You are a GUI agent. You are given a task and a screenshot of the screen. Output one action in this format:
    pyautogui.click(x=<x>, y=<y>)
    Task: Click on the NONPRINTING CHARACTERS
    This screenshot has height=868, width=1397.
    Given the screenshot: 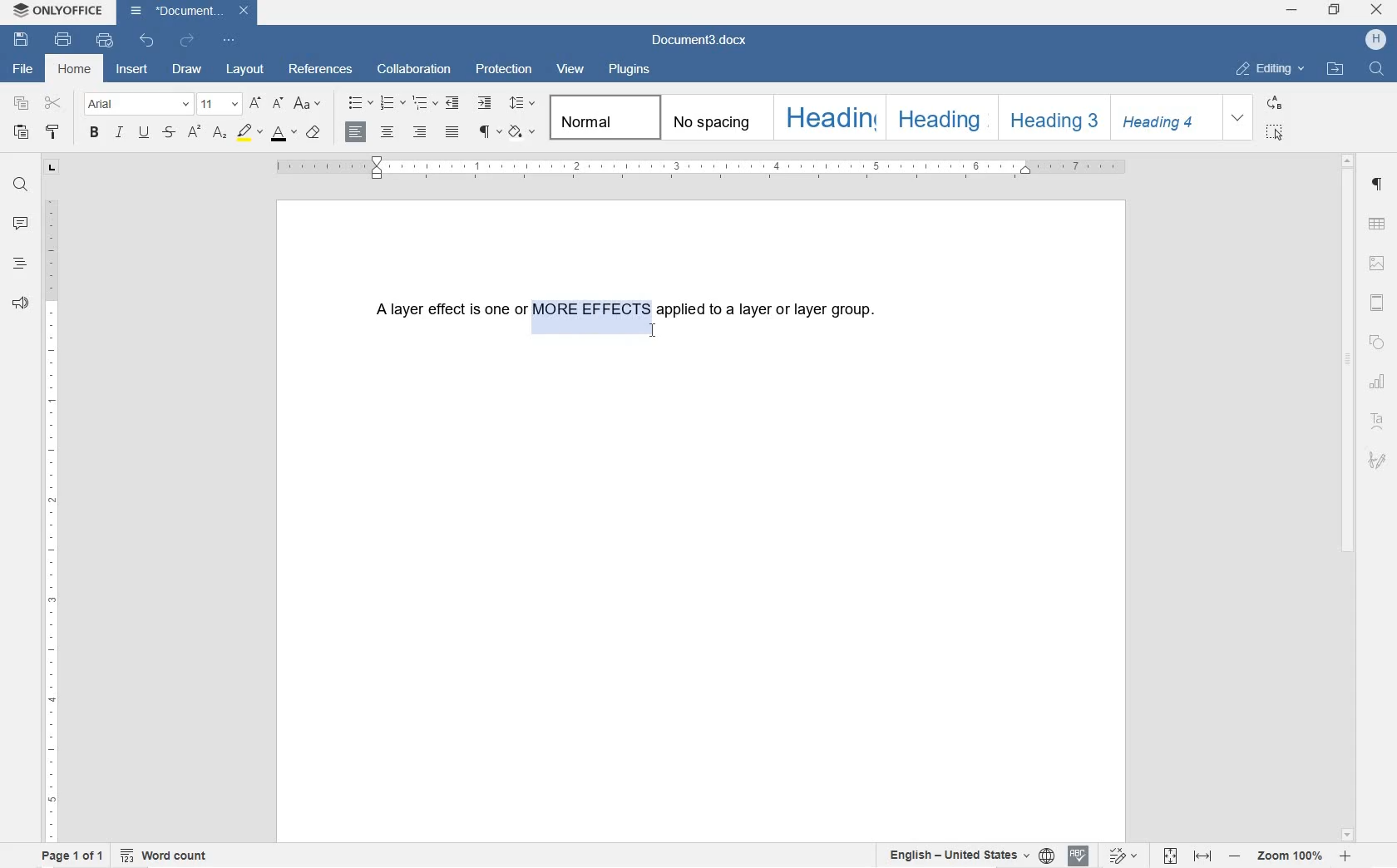 What is the action you would take?
    pyautogui.click(x=488, y=132)
    